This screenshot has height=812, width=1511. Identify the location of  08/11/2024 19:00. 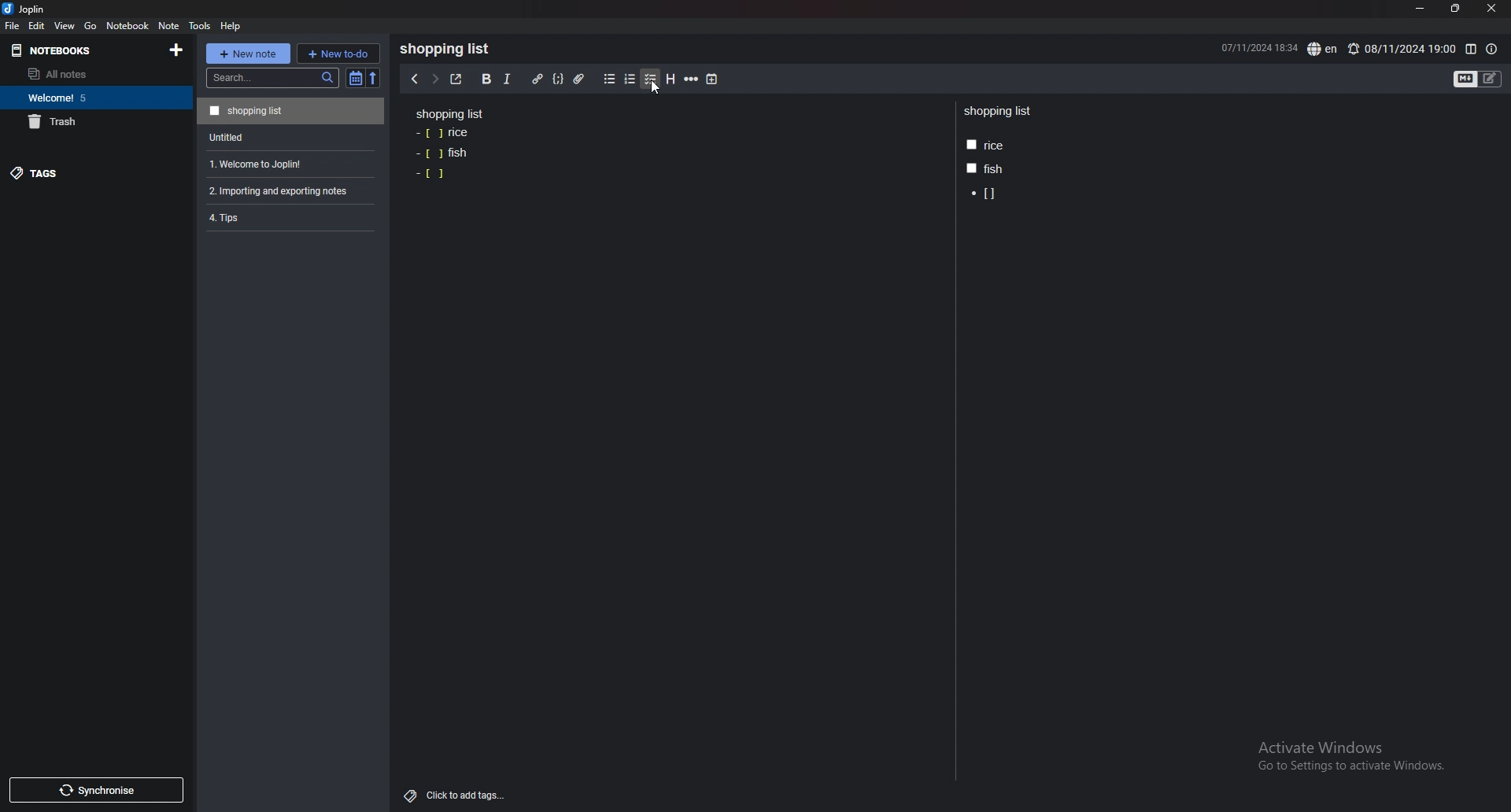
(1401, 49).